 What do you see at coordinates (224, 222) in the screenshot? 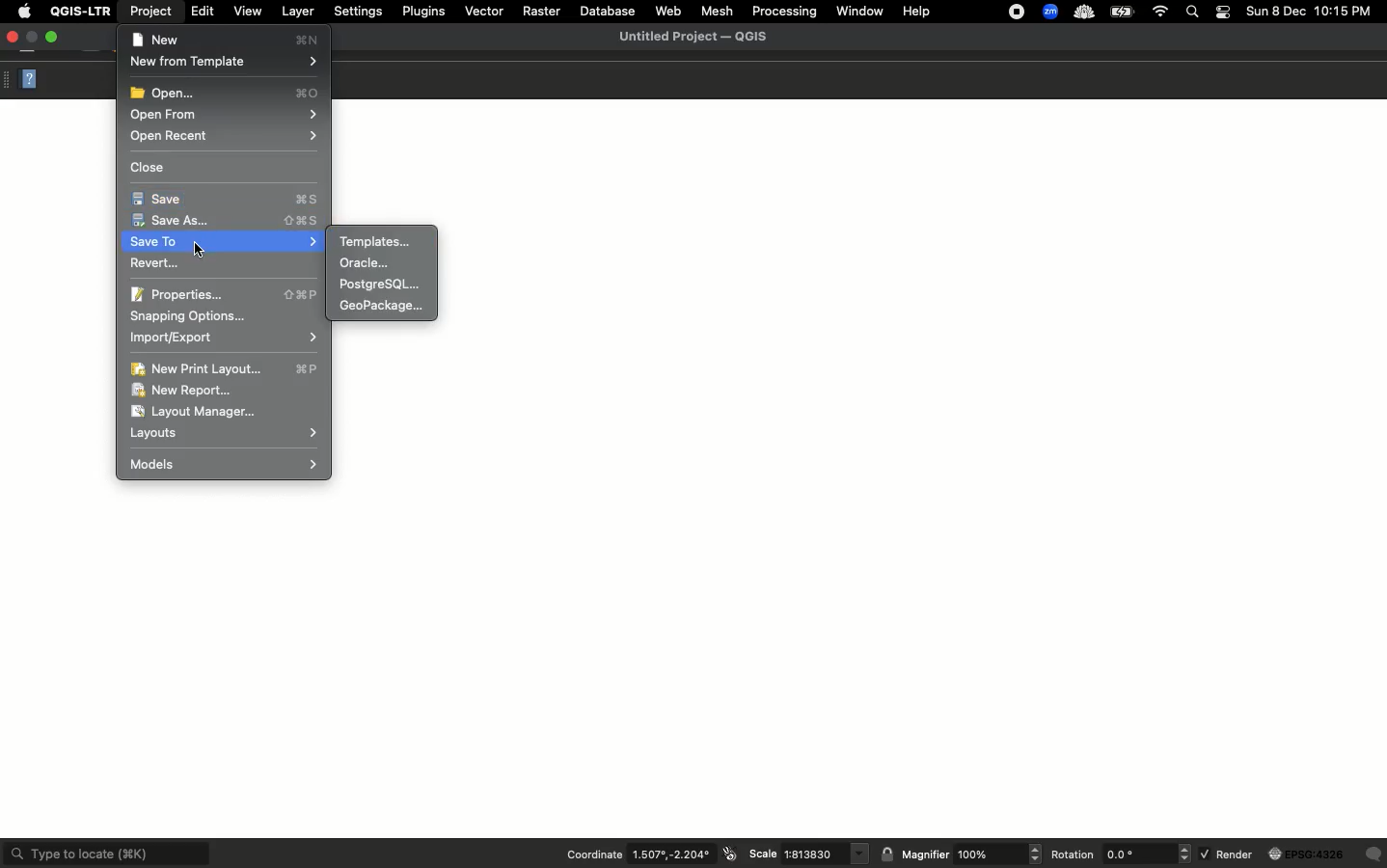
I see `Save as` at bounding box center [224, 222].